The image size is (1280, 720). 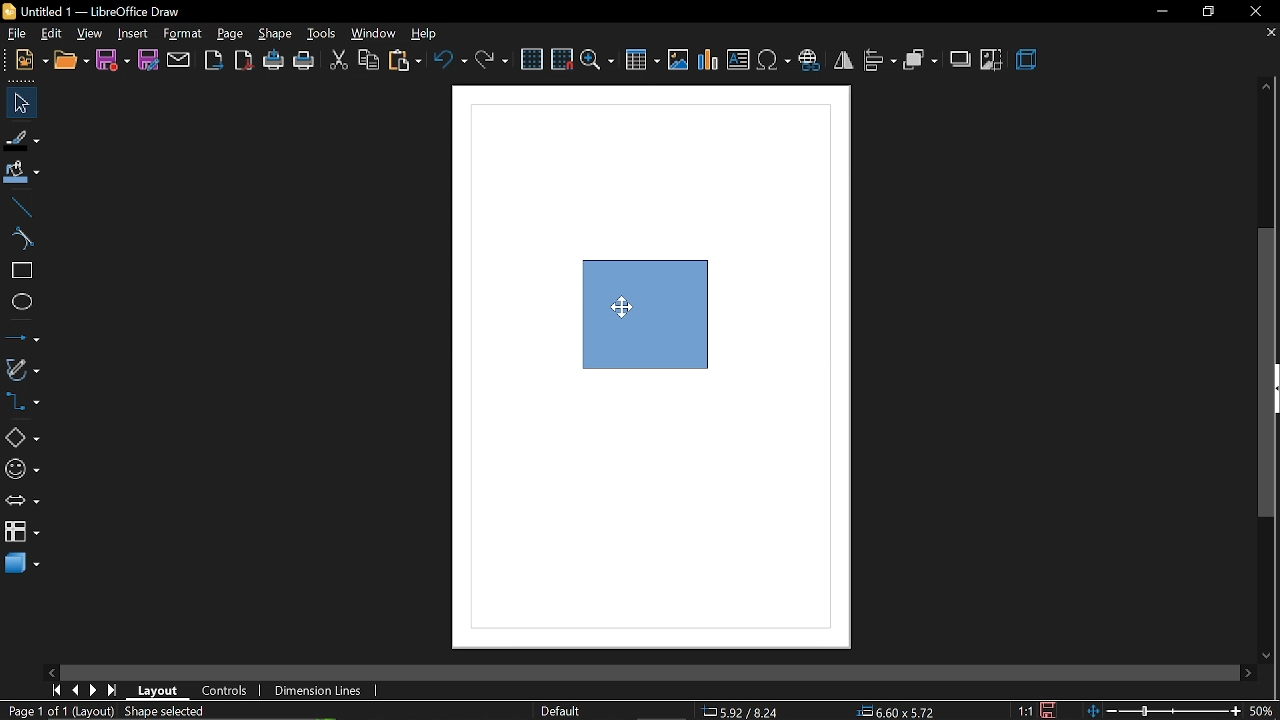 I want to click on redo, so click(x=493, y=61).